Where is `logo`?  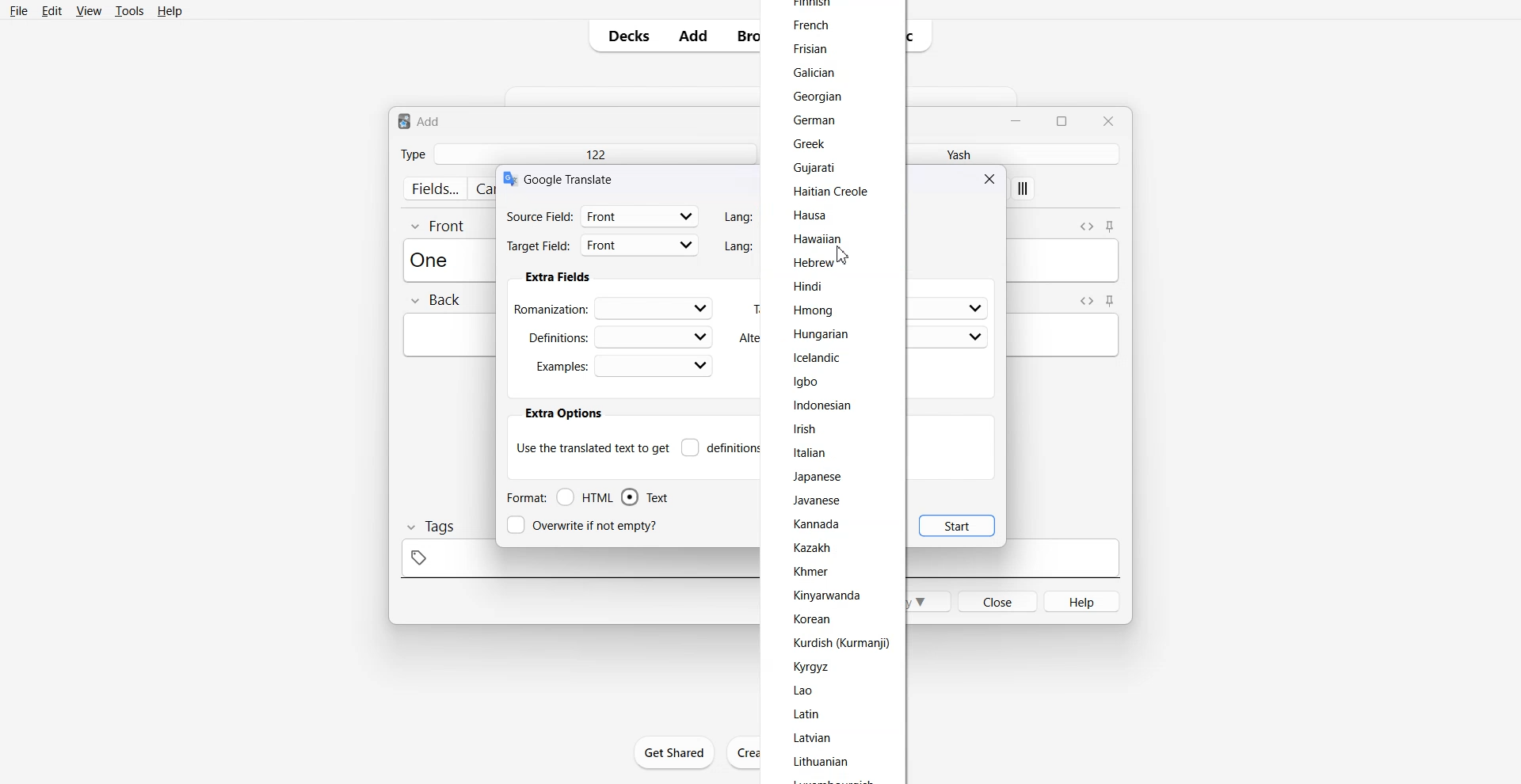
logo is located at coordinates (509, 179).